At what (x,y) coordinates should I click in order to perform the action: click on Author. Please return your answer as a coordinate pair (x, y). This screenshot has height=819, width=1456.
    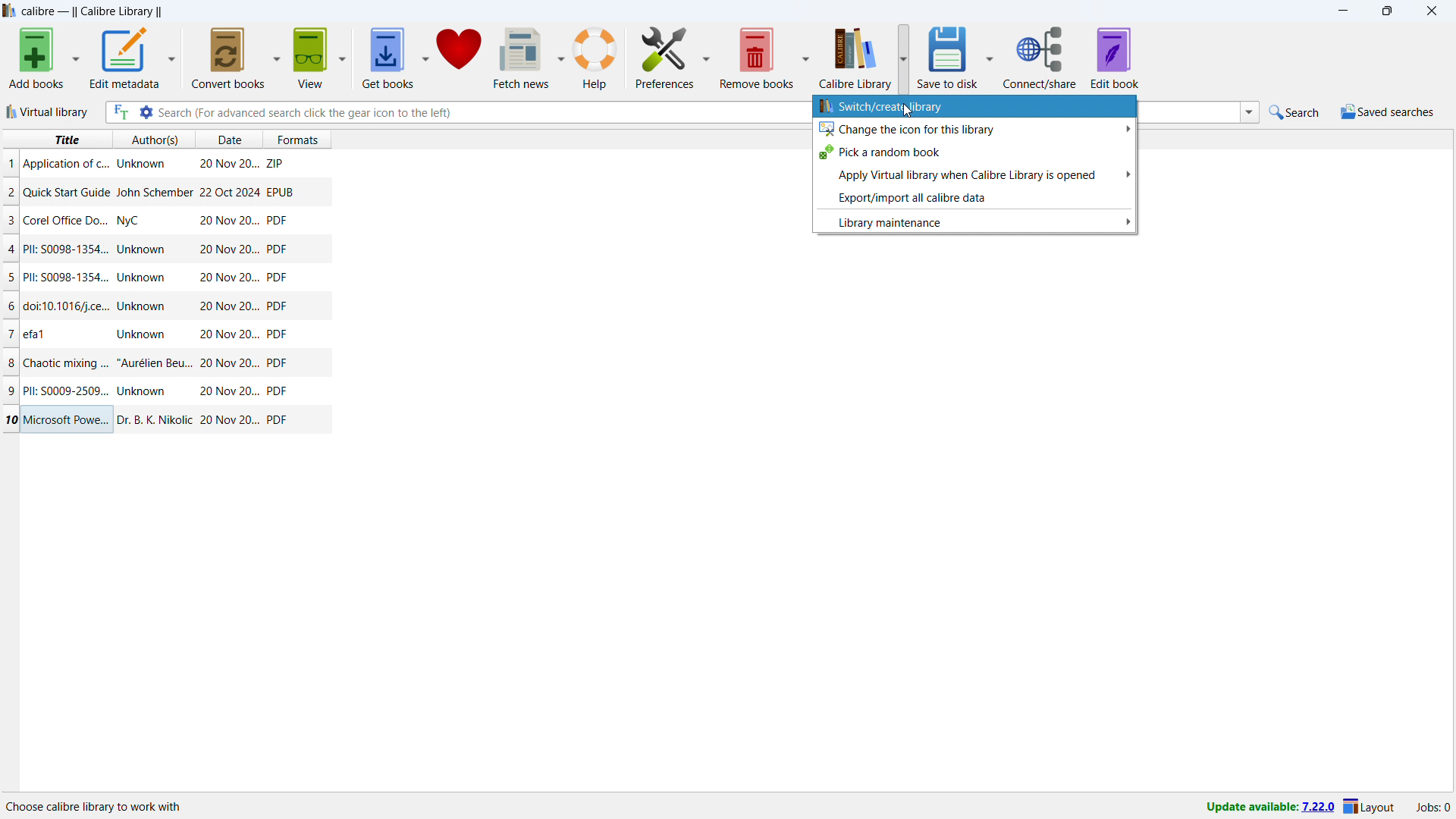
    Looking at the image, I should click on (141, 333).